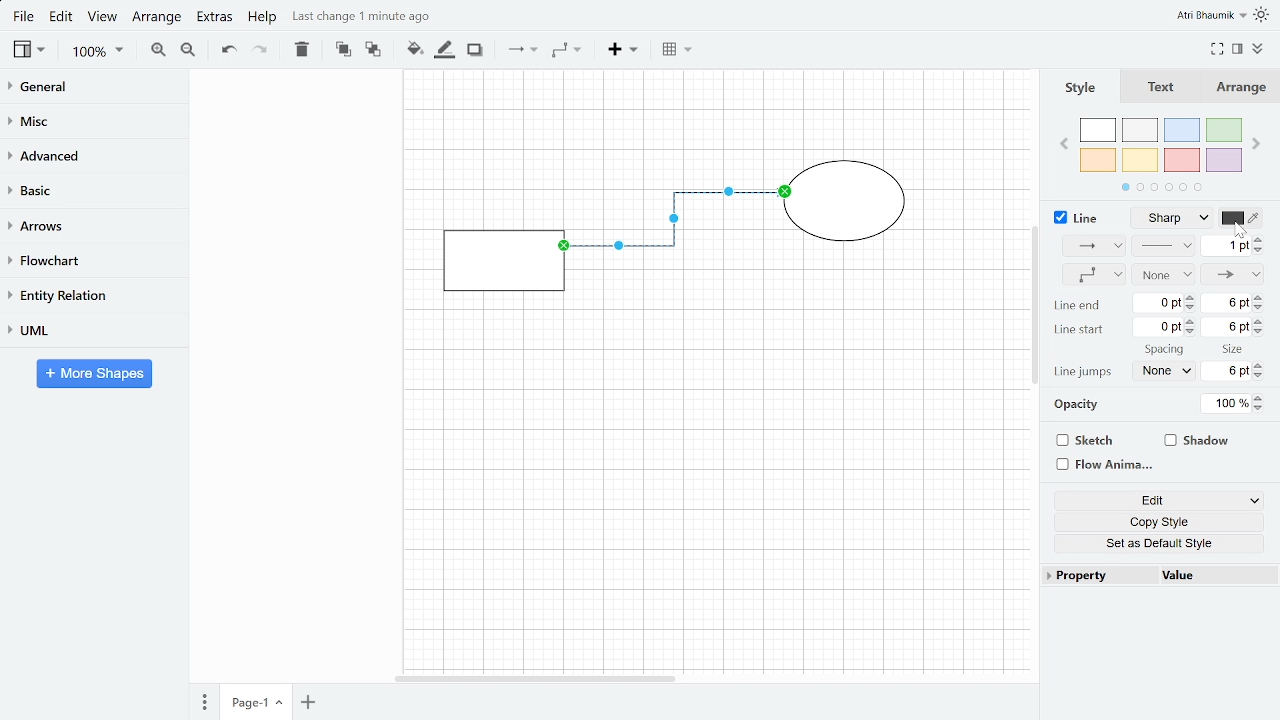 The image size is (1280, 720). What do you see at coordinates (443, 51) in the screenshot?
I see `Fill line` at bounding box center [443, 51].